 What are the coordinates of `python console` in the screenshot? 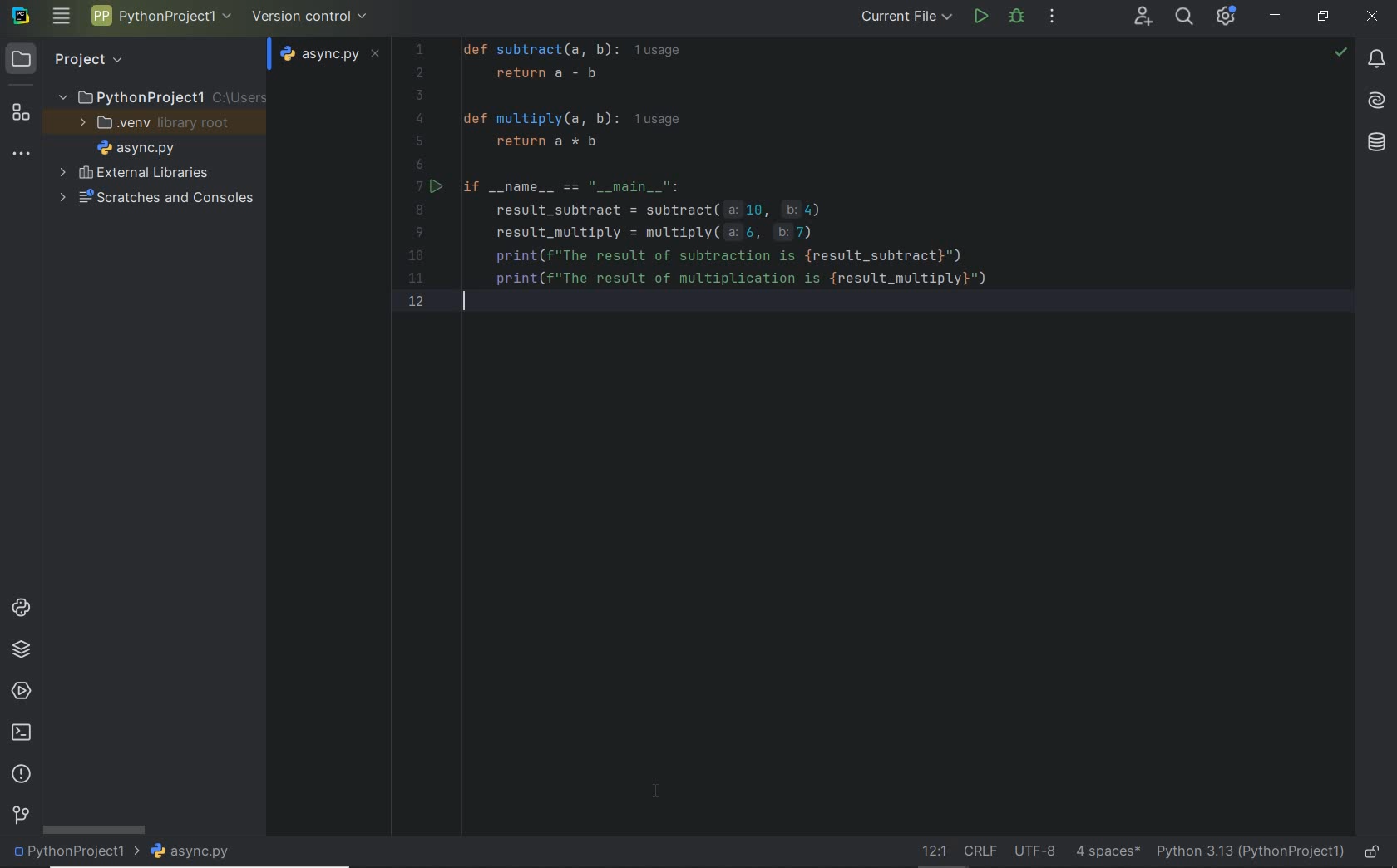 It's located at (24, 609).